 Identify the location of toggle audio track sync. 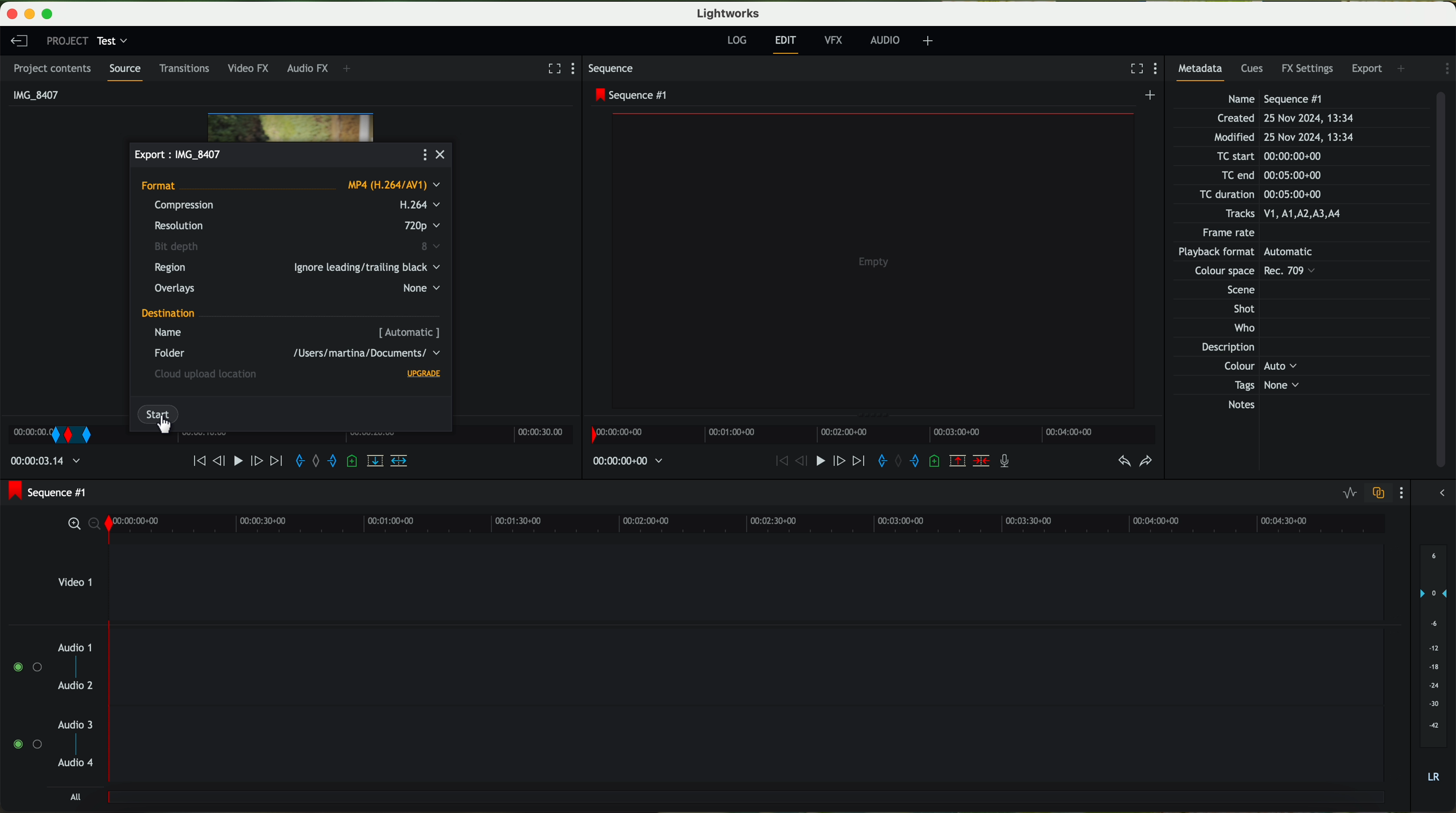
(1380, 493).